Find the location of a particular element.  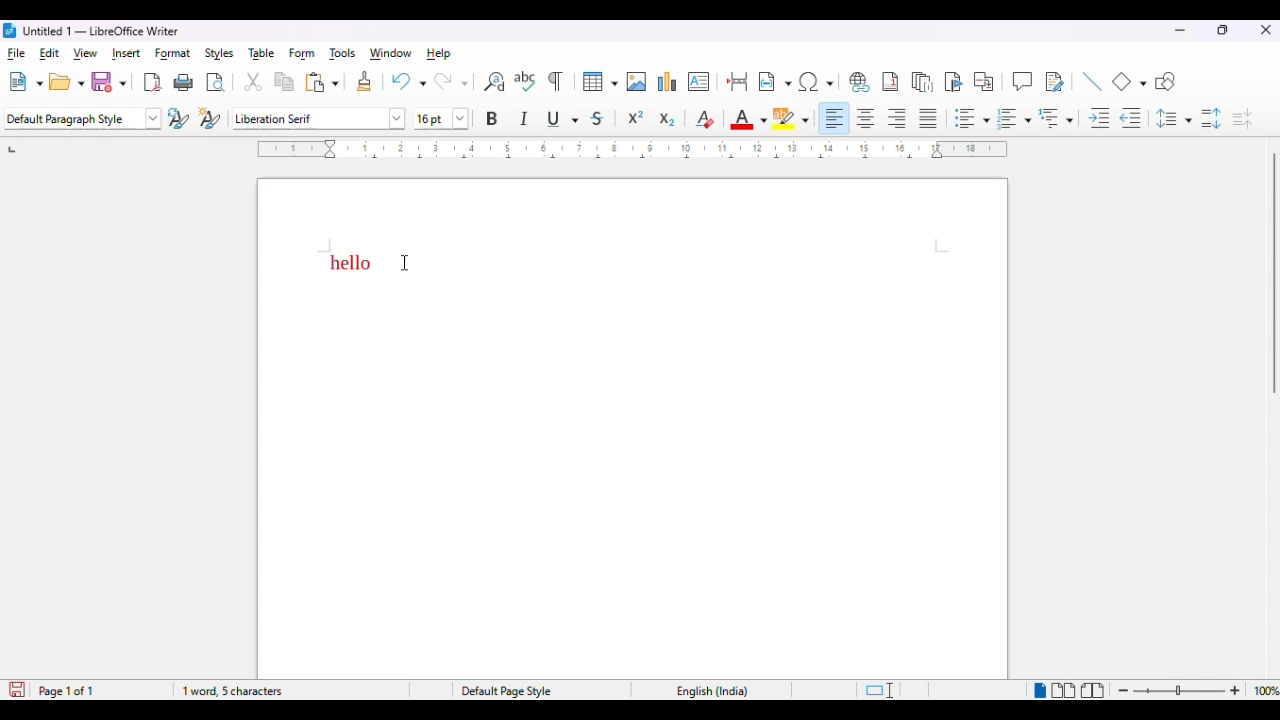

title is located at coordinates (101, 30).